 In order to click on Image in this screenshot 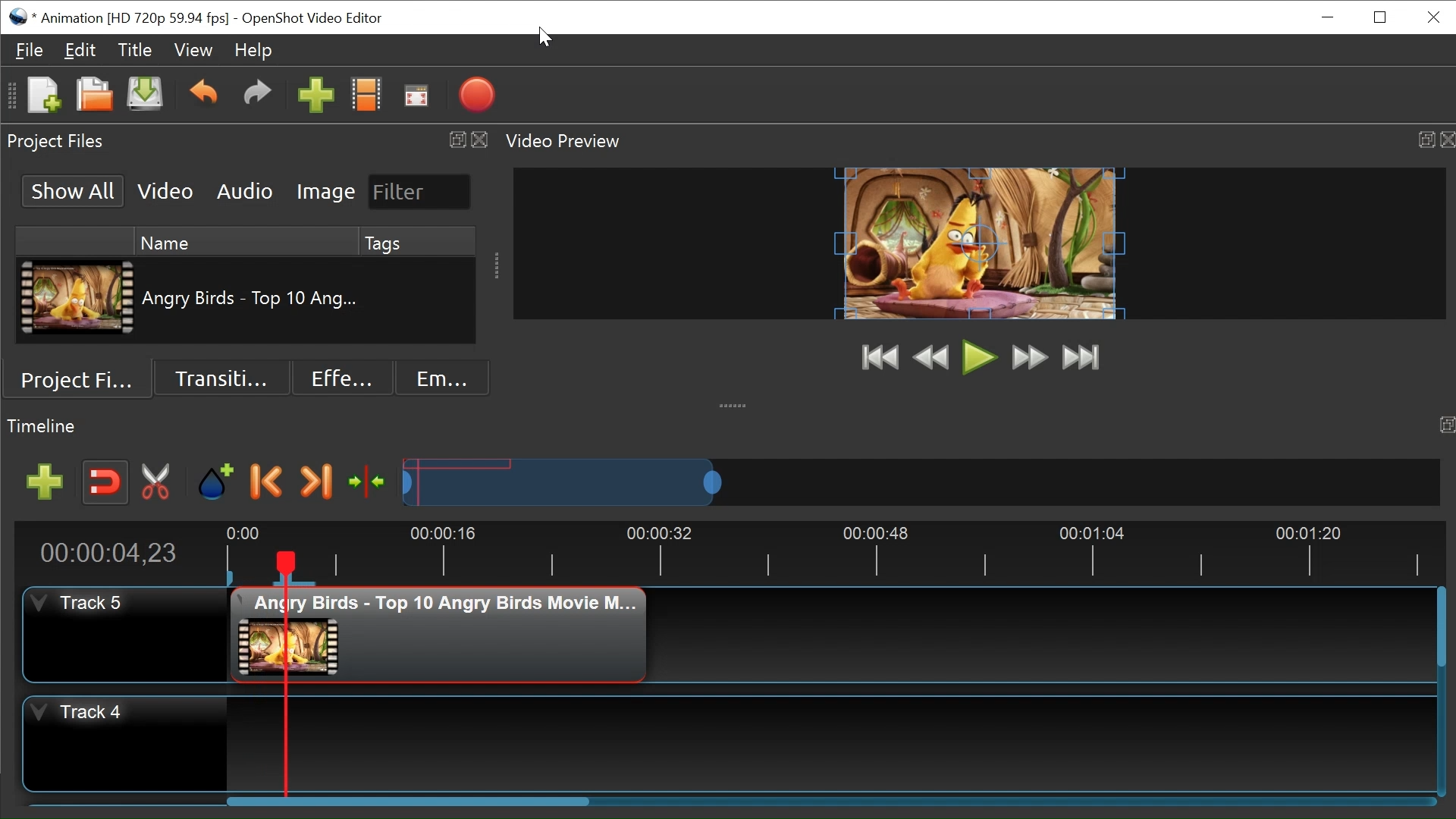, I will do `click(327, 191)`.